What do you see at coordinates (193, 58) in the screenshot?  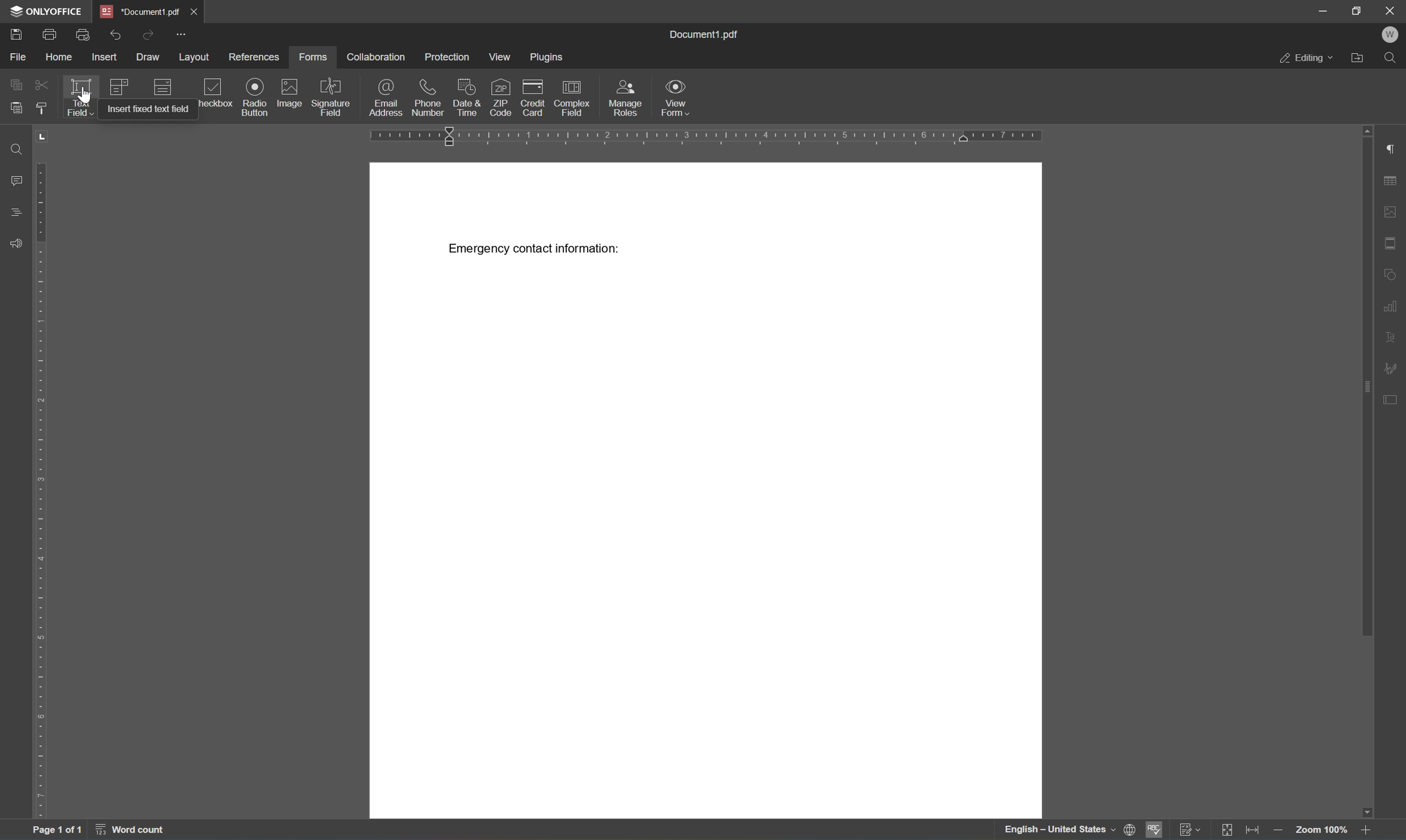 I see `layout` at bounding box center [193, 58].